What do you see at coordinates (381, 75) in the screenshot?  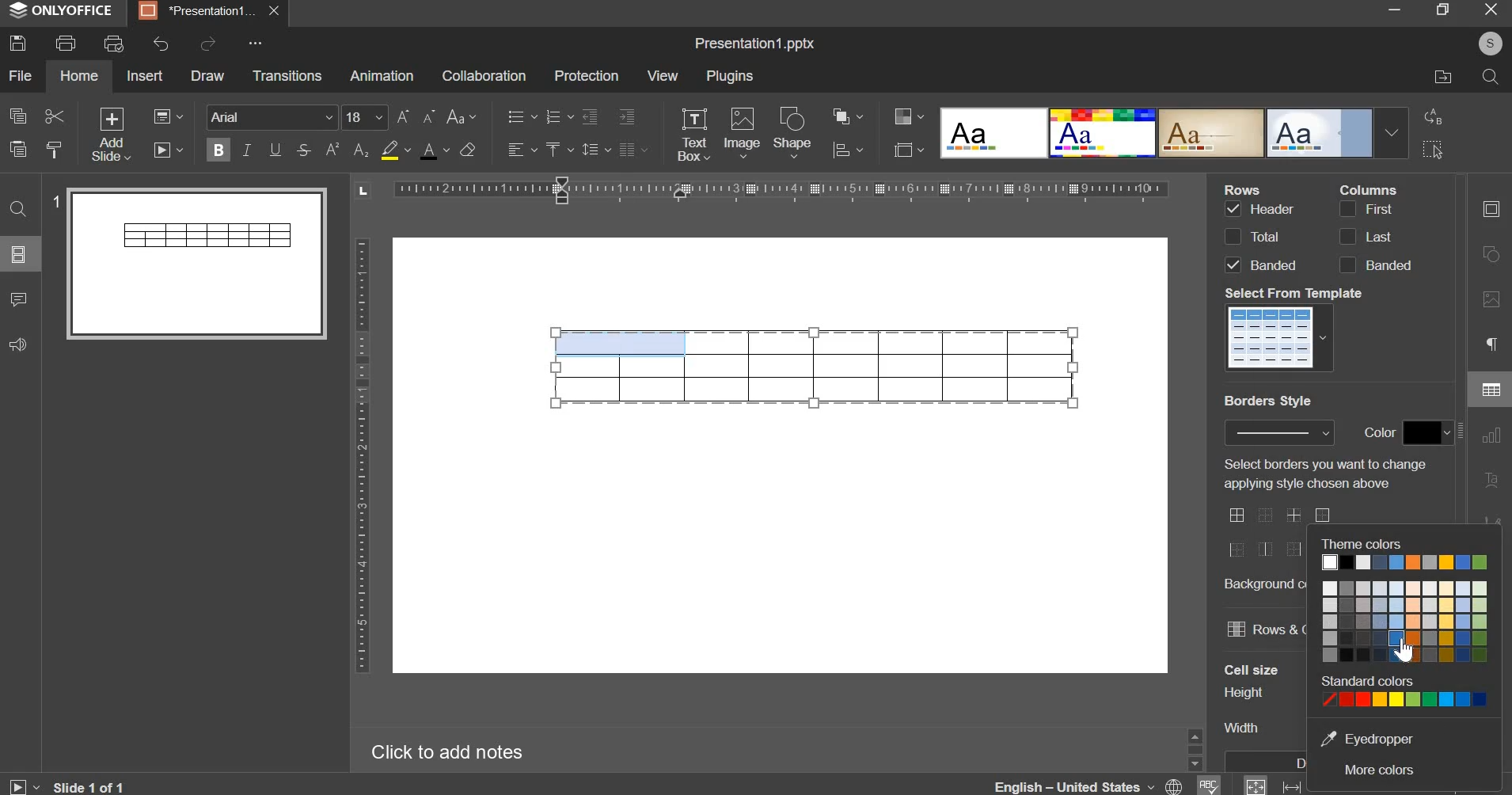 I see `animation` at bounding box center [381, 75].